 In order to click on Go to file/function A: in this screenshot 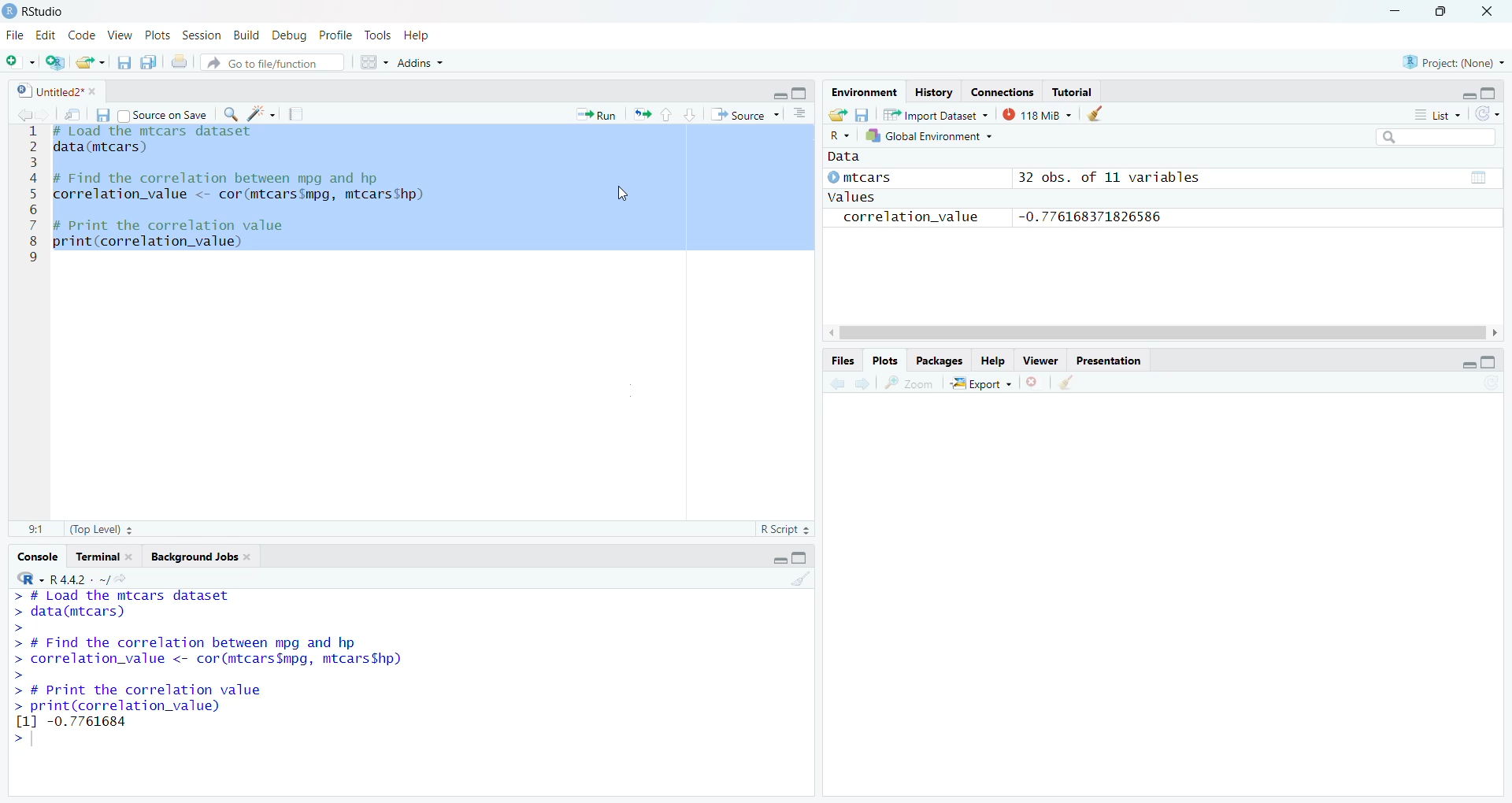, I will do `click(275, 62)`.